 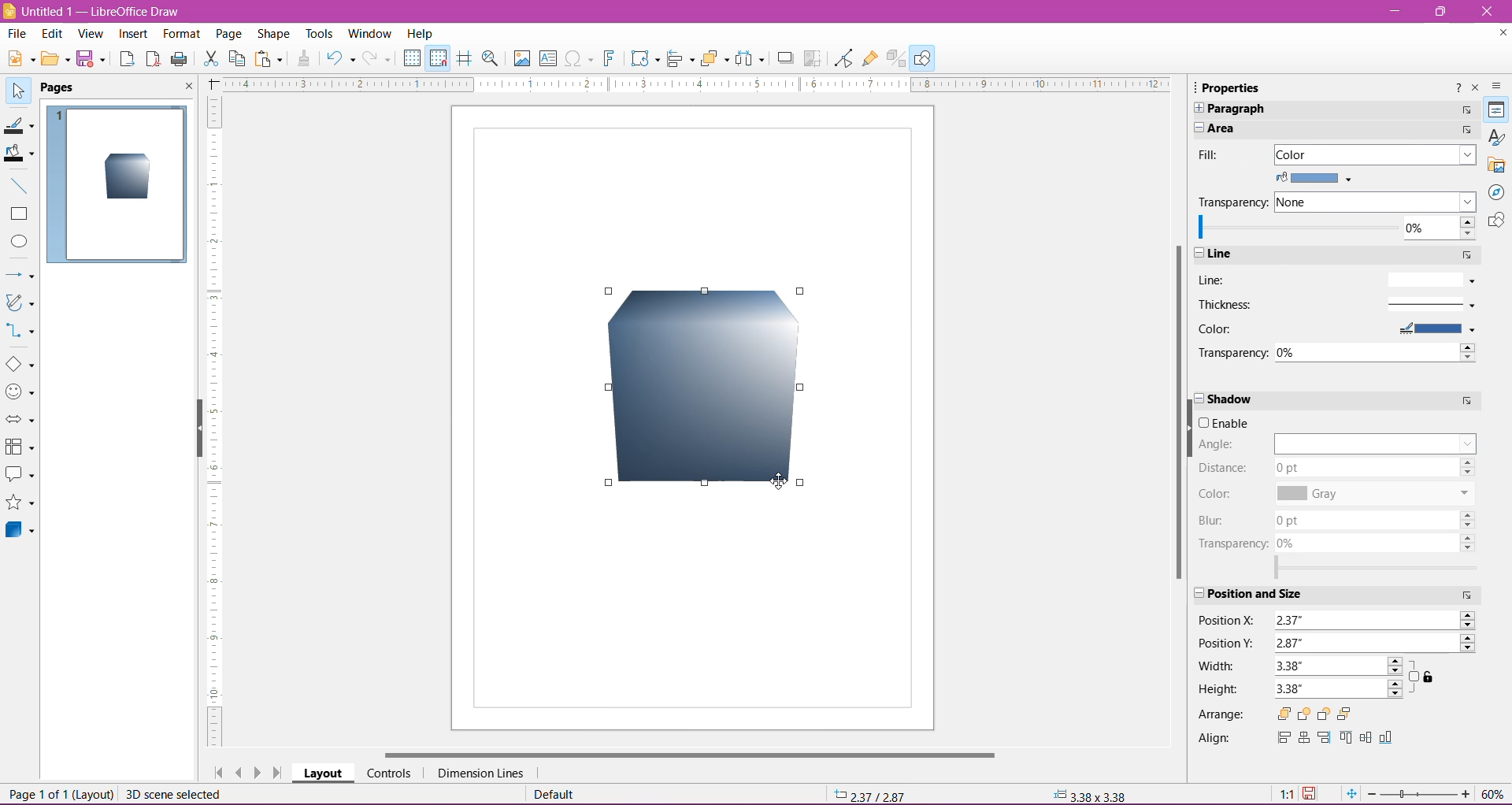 I want to click on Select atleast three objects to distribute, so click(x=749, y=58).